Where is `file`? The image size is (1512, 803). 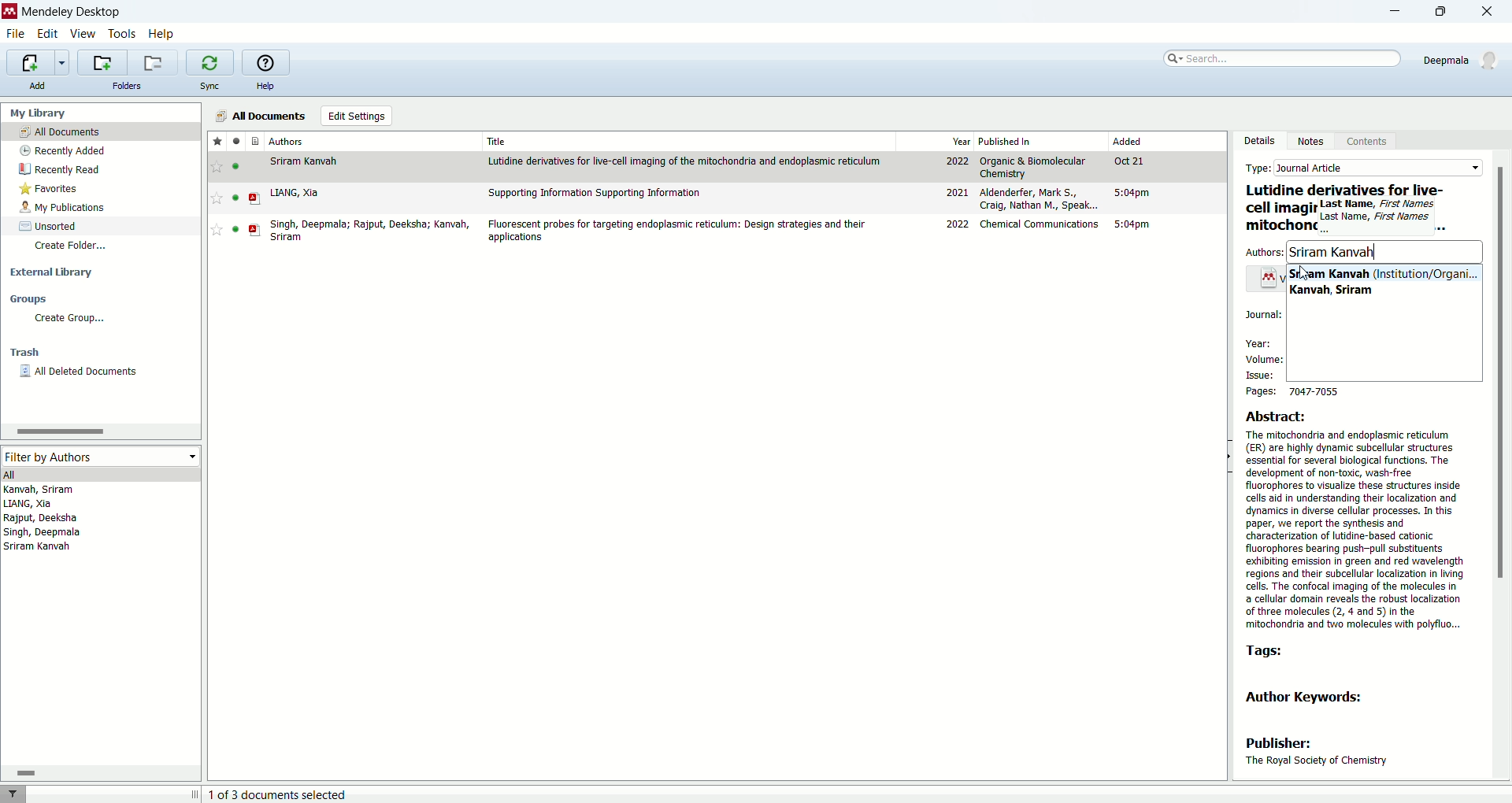 file is located at coordinates (18, 34).